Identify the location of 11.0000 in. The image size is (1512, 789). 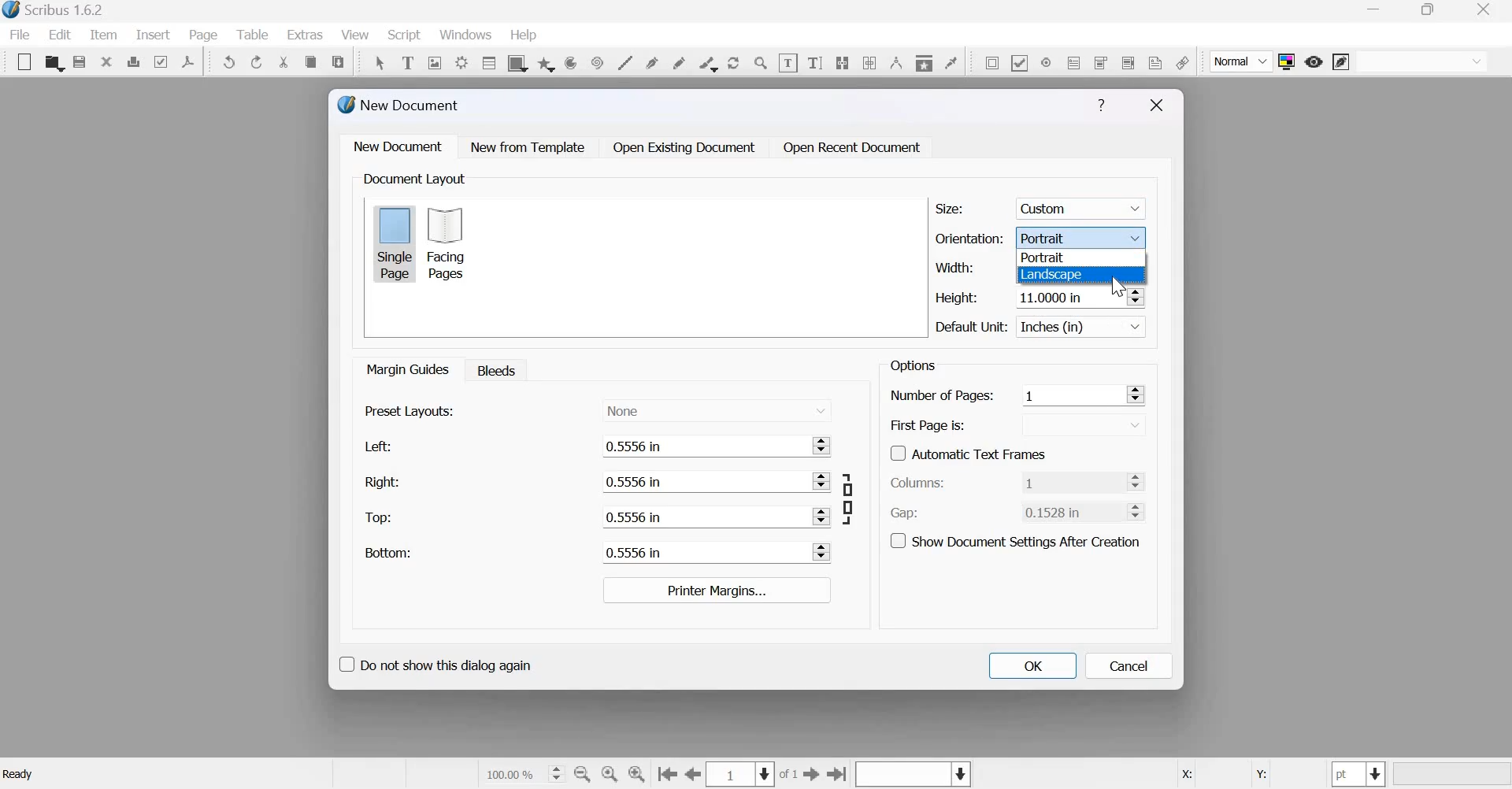
(1054, 295).